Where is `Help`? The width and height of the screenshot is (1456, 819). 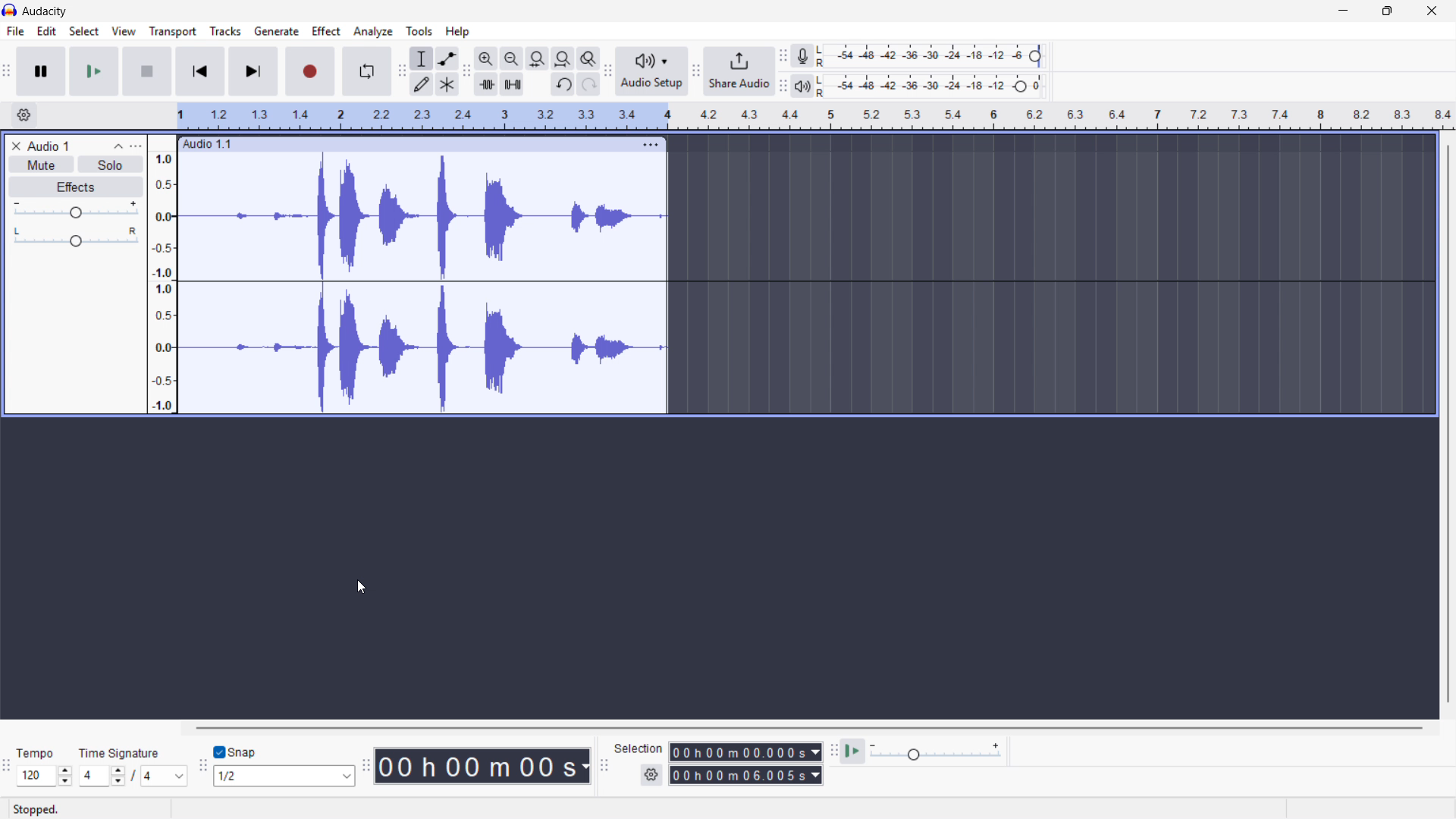 Help is located at coordinates (458, 32).